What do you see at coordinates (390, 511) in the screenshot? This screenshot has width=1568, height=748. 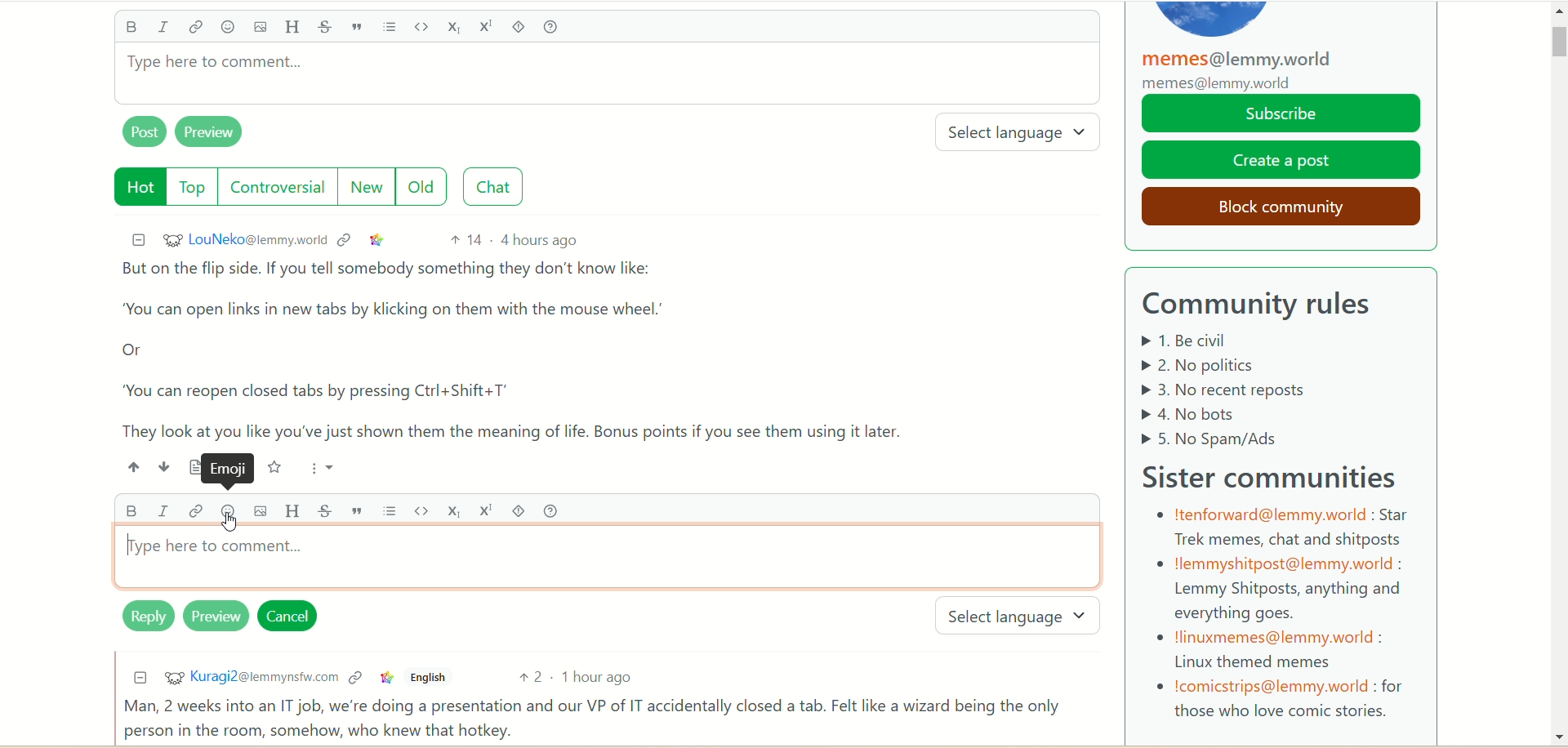 I see `list` at bounding box center [390, 511].